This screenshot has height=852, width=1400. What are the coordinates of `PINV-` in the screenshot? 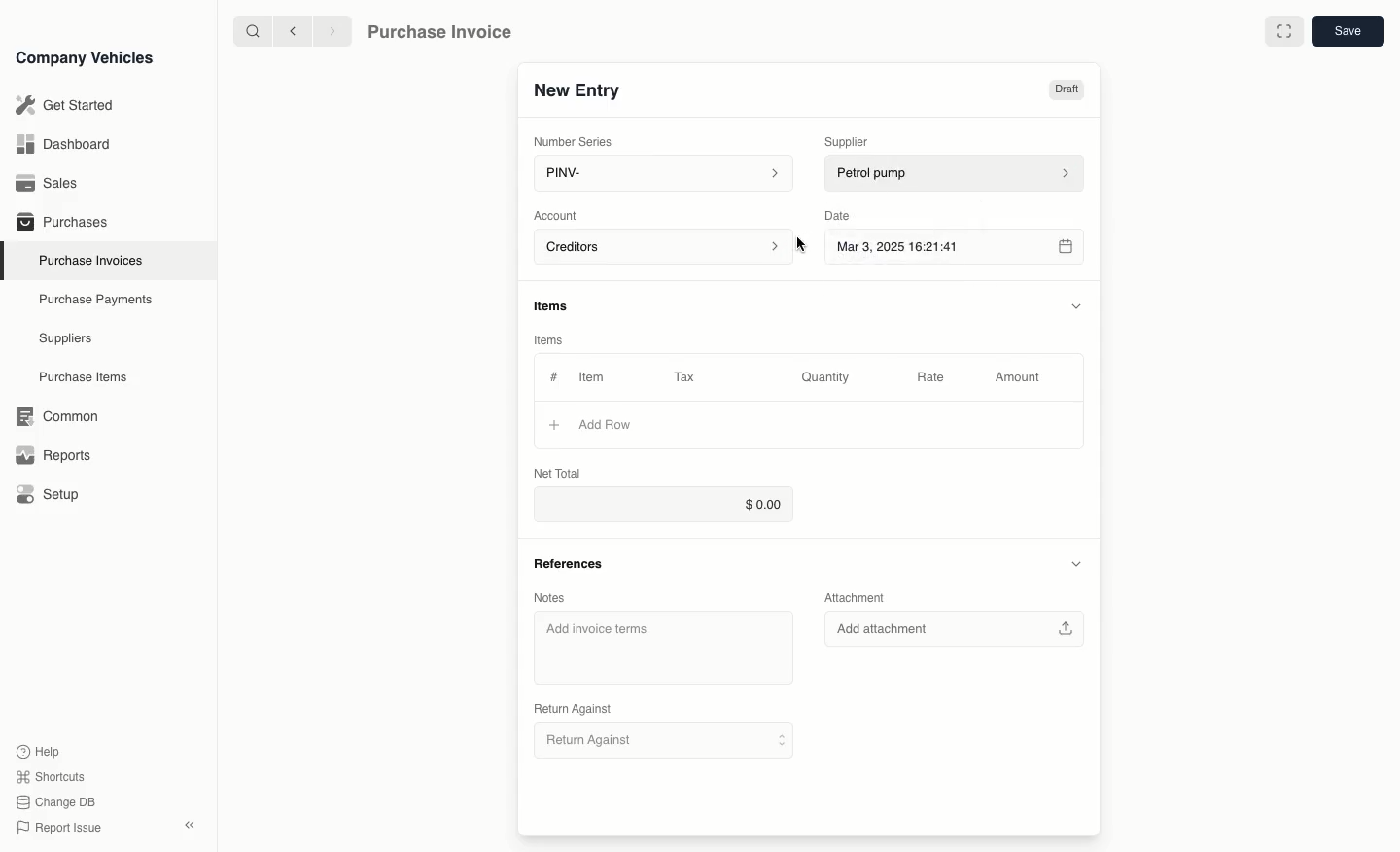 It's located at (657, 175).